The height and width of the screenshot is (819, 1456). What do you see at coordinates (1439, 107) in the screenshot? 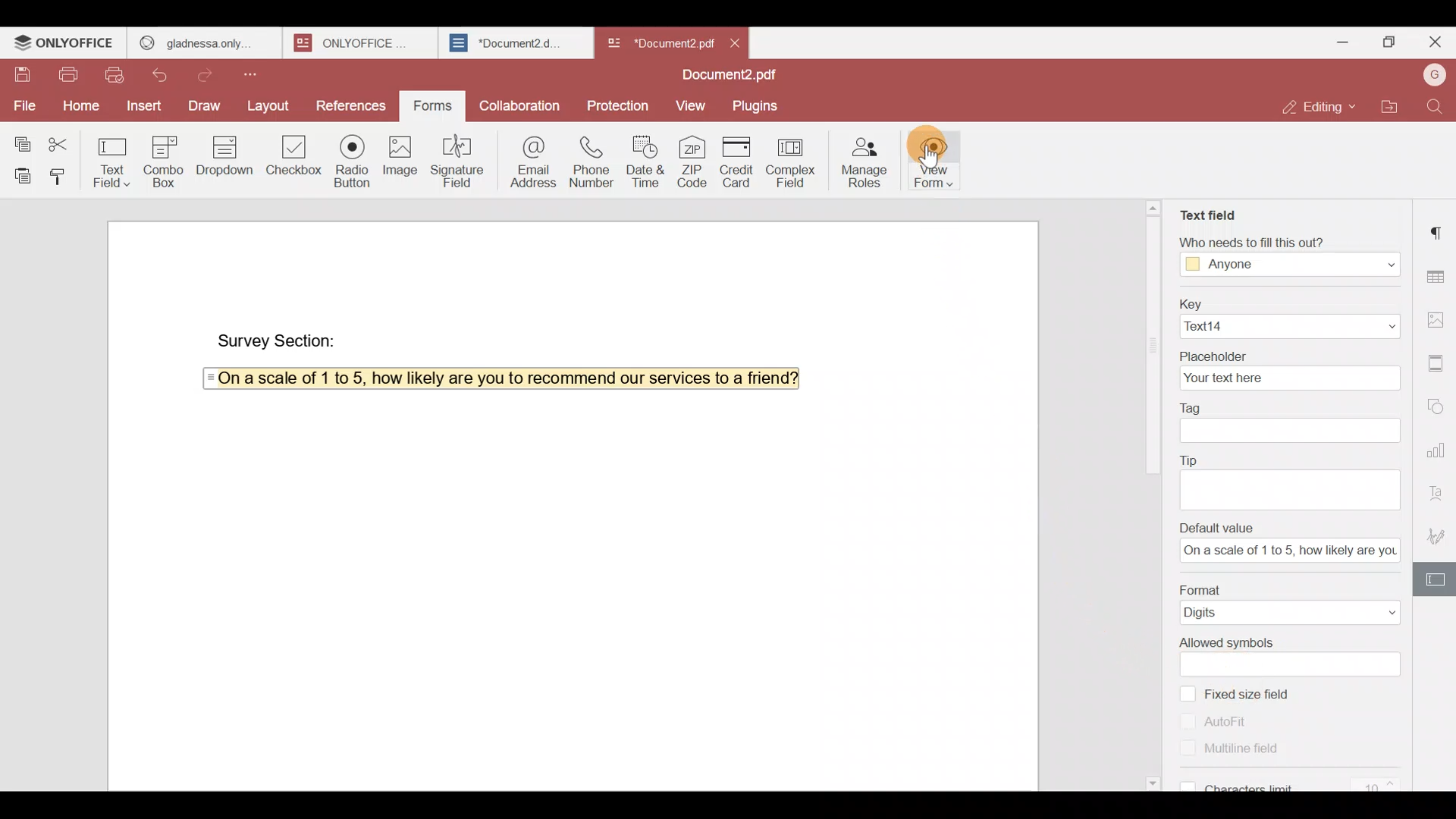
I see `Find` at bounding box center [1439, 107].